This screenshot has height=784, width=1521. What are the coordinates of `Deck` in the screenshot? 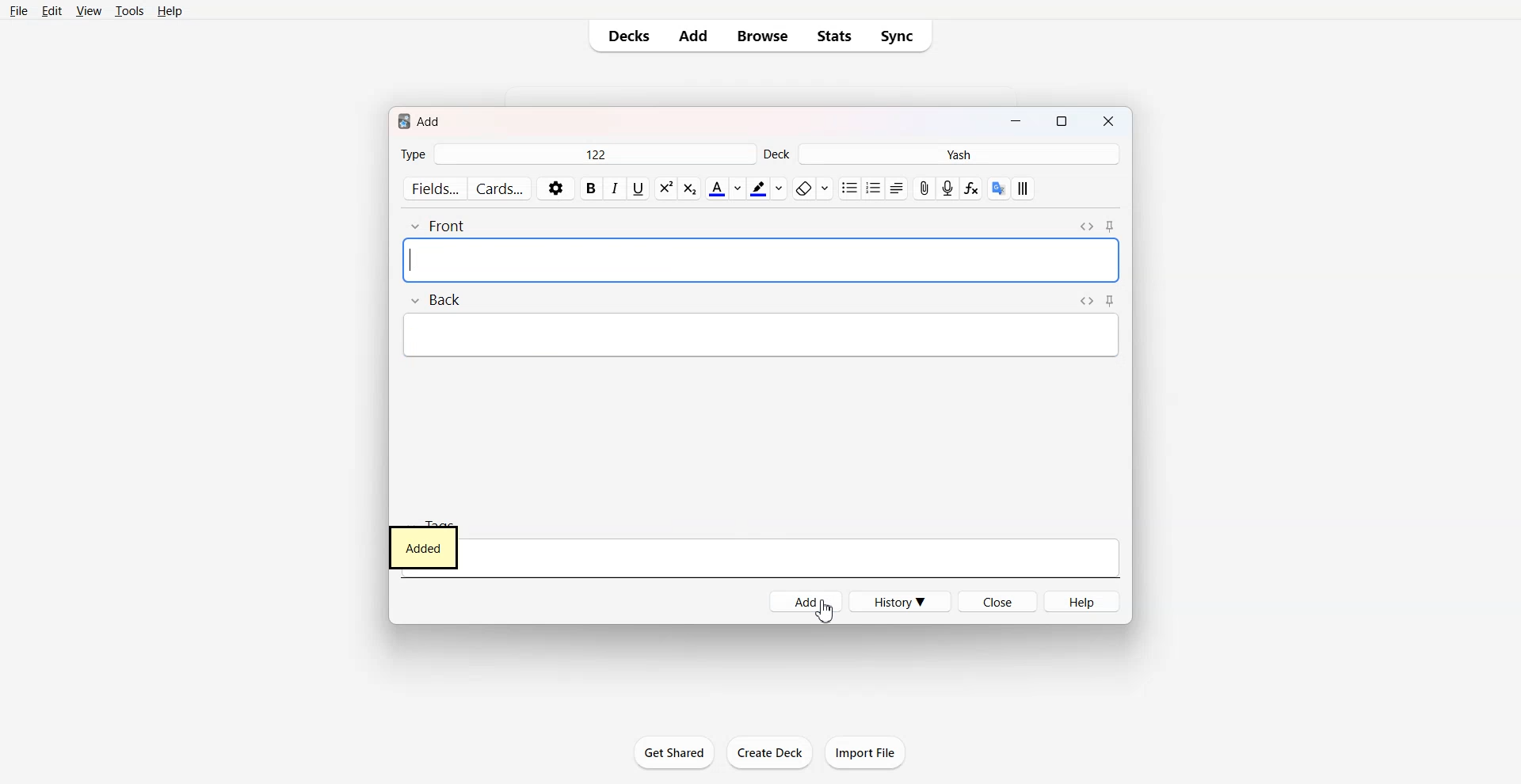 It's located at (942, 154).